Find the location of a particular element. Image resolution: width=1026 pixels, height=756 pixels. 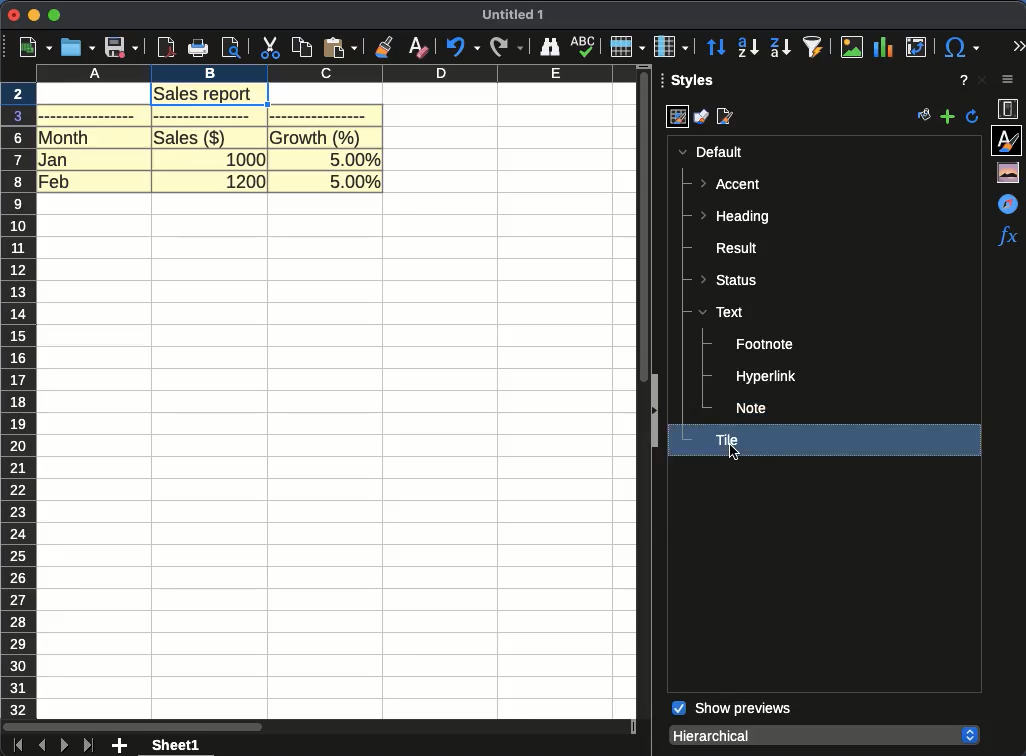

blank is located at coordinates (206, 117).